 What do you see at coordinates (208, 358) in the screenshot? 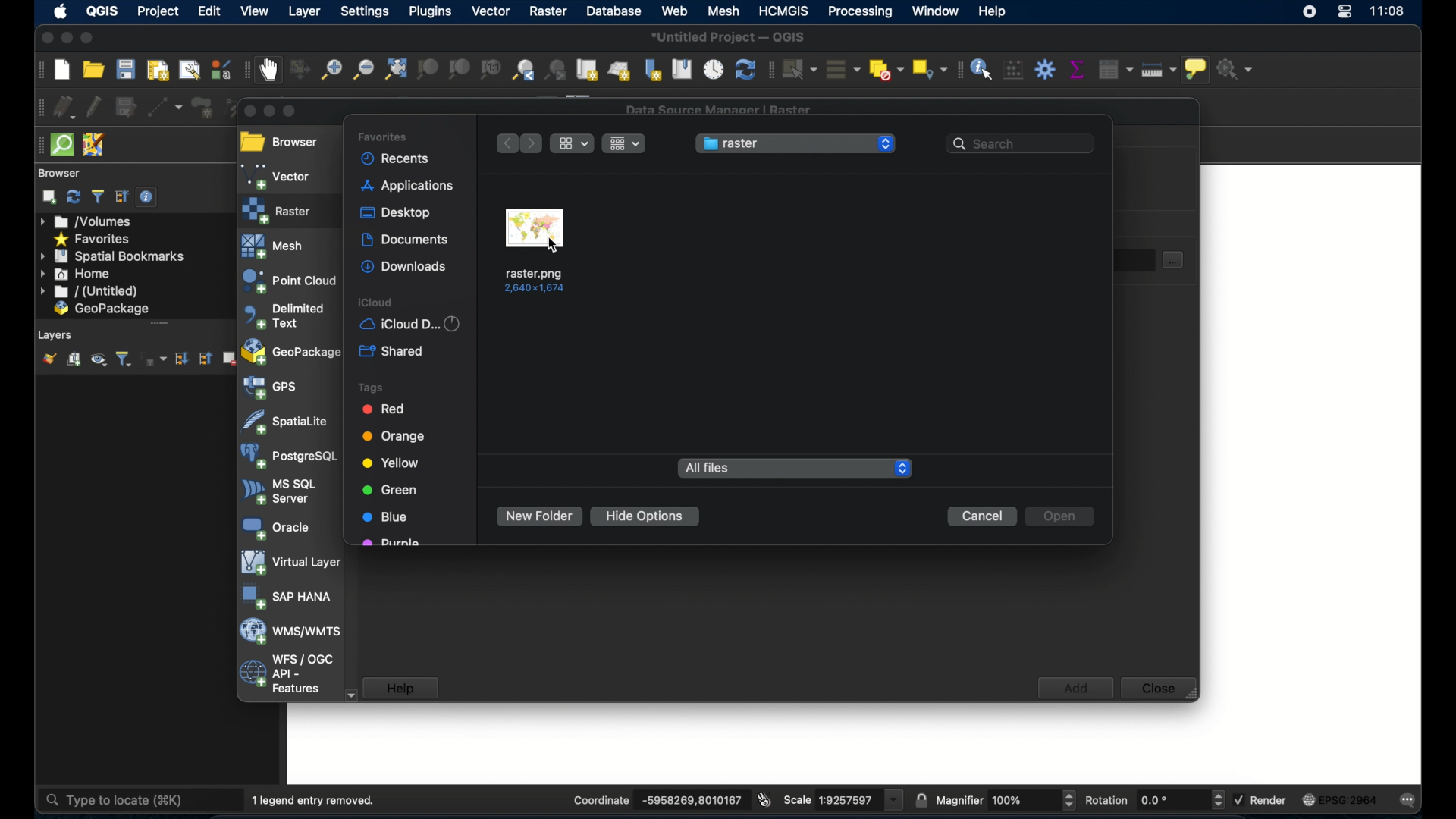
I see `collapse all` at bounding box center [208, 358].